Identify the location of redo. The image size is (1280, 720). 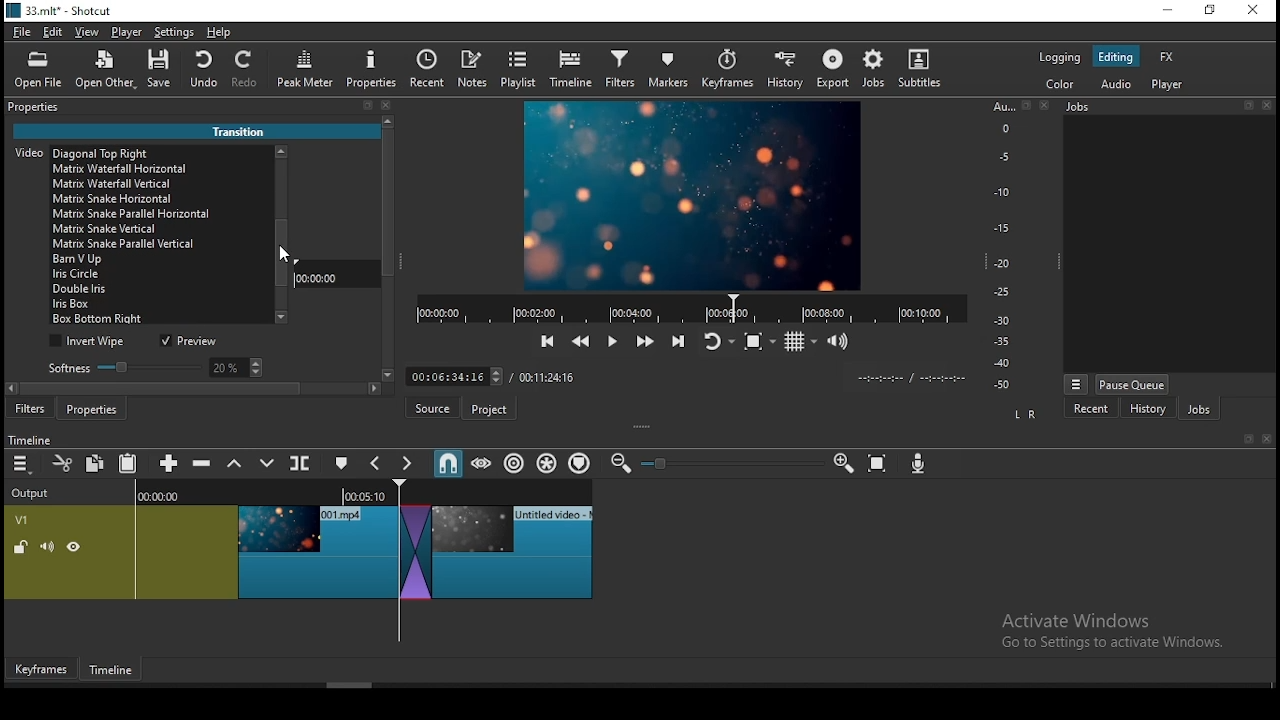
(248, 72).